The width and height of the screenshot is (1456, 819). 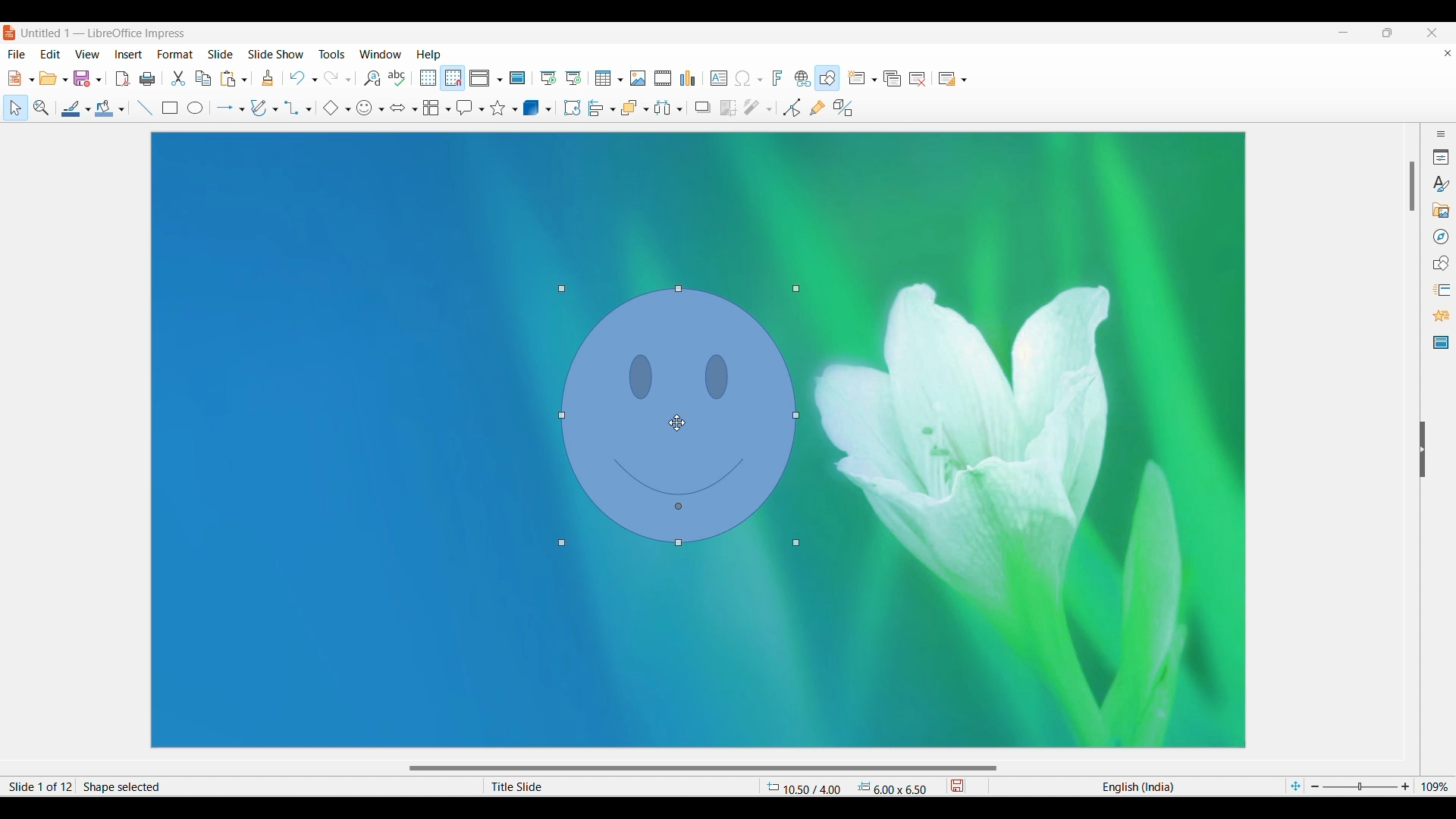 I want to click on Ellipse, so click(x=195, y=107).